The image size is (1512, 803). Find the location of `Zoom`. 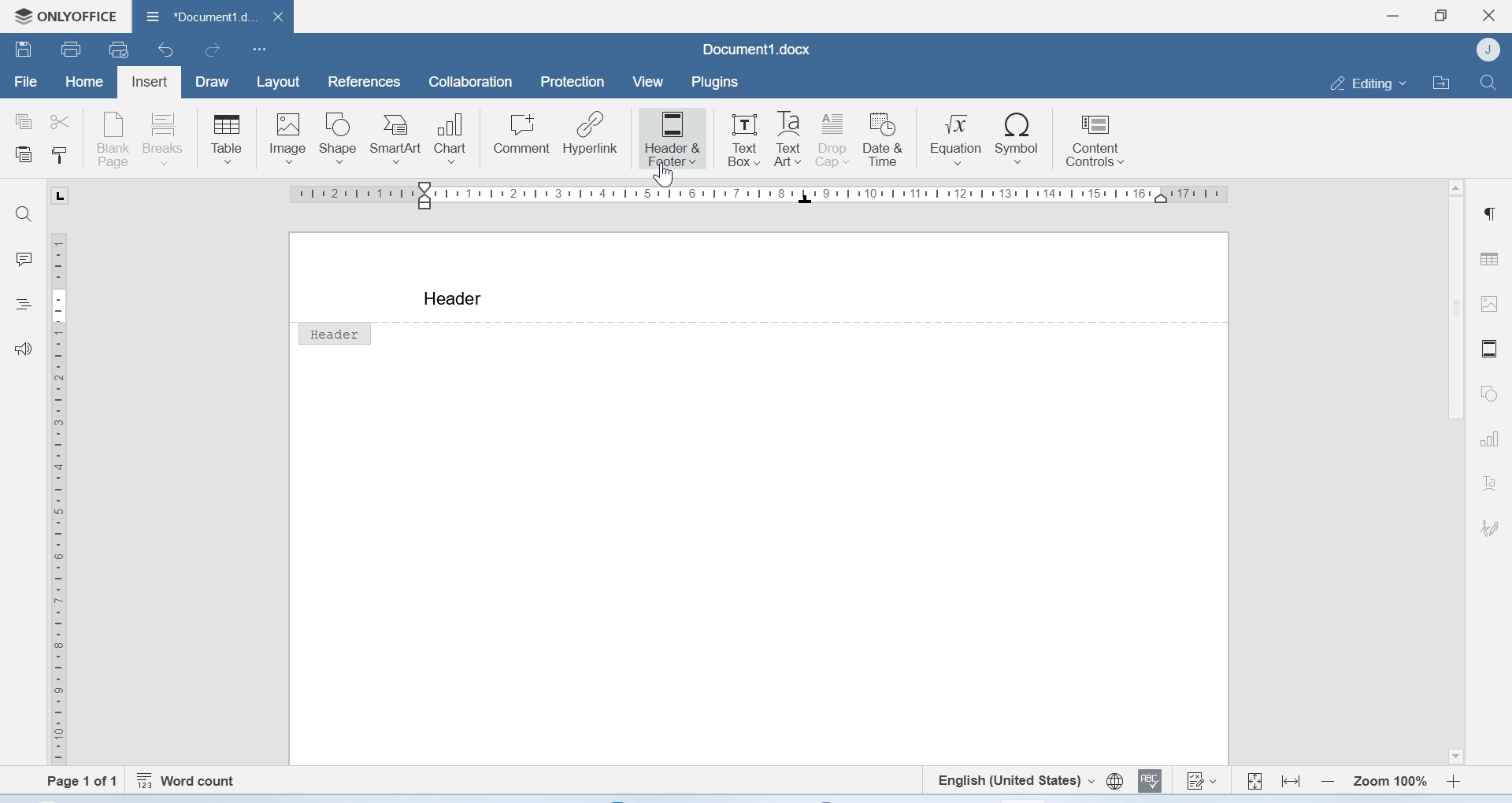

Zoom is located at coordinates (1389, 779).